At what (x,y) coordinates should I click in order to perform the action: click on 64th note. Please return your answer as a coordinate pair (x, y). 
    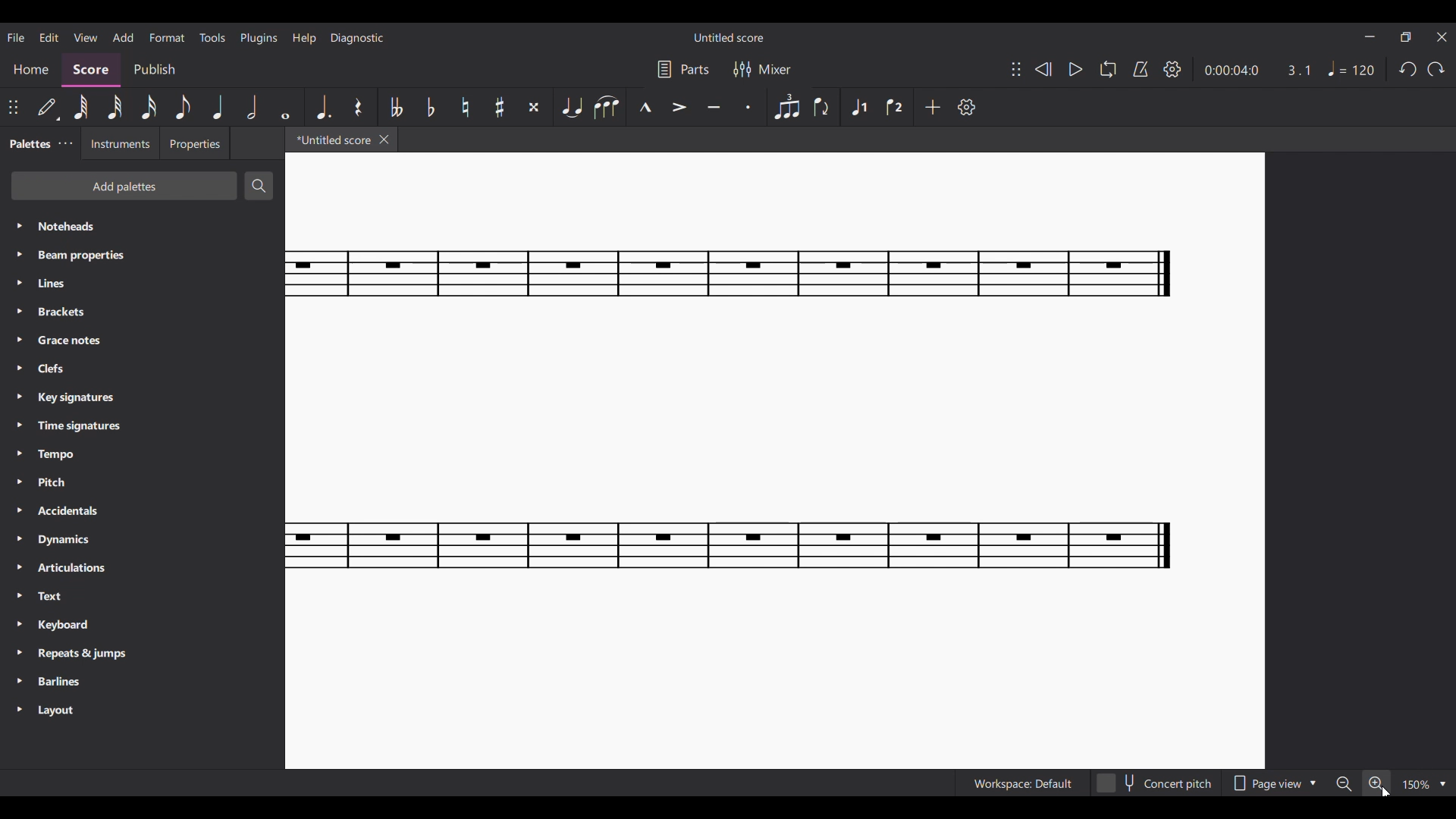
    Looking at the image, I should click on (82, 108).